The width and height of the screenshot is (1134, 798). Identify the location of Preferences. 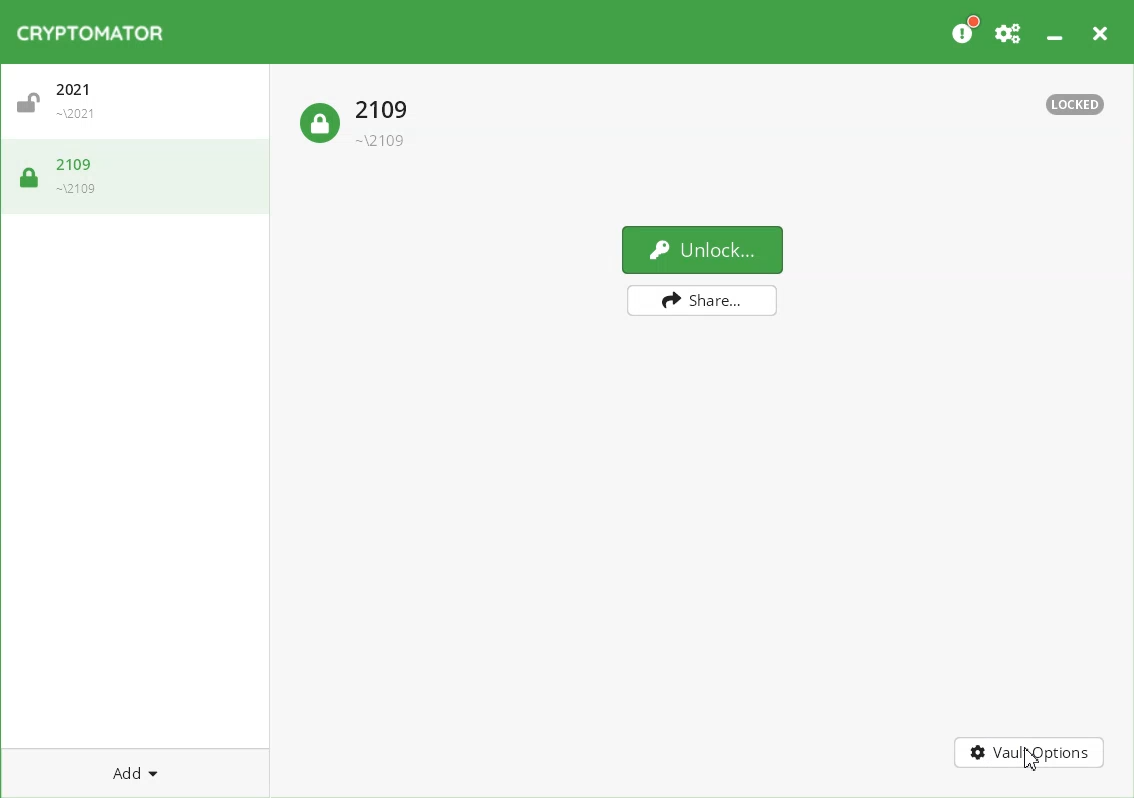
(1009, 32).